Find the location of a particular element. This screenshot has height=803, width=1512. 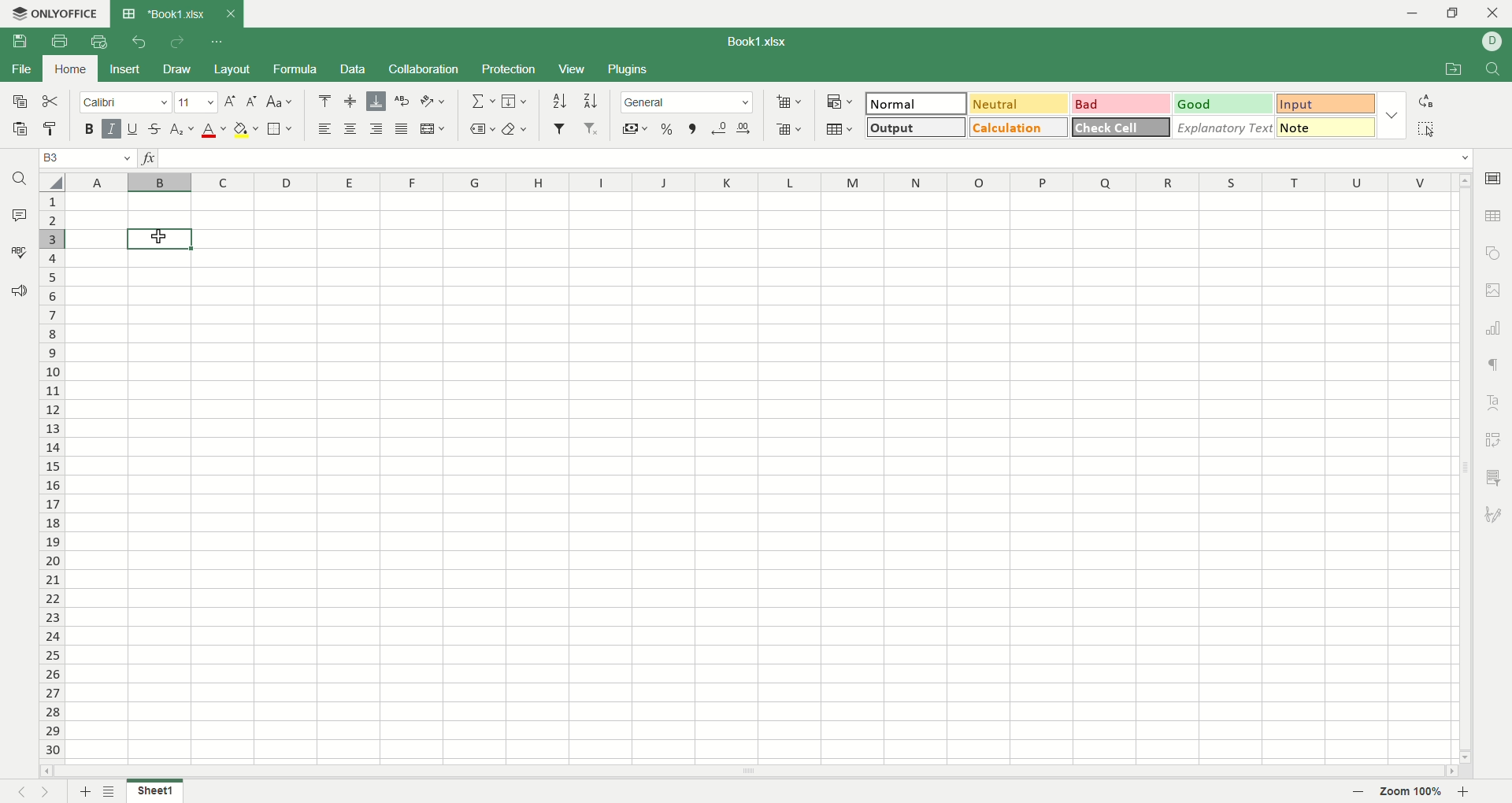

quick settings is located at coordinates (215, 41).